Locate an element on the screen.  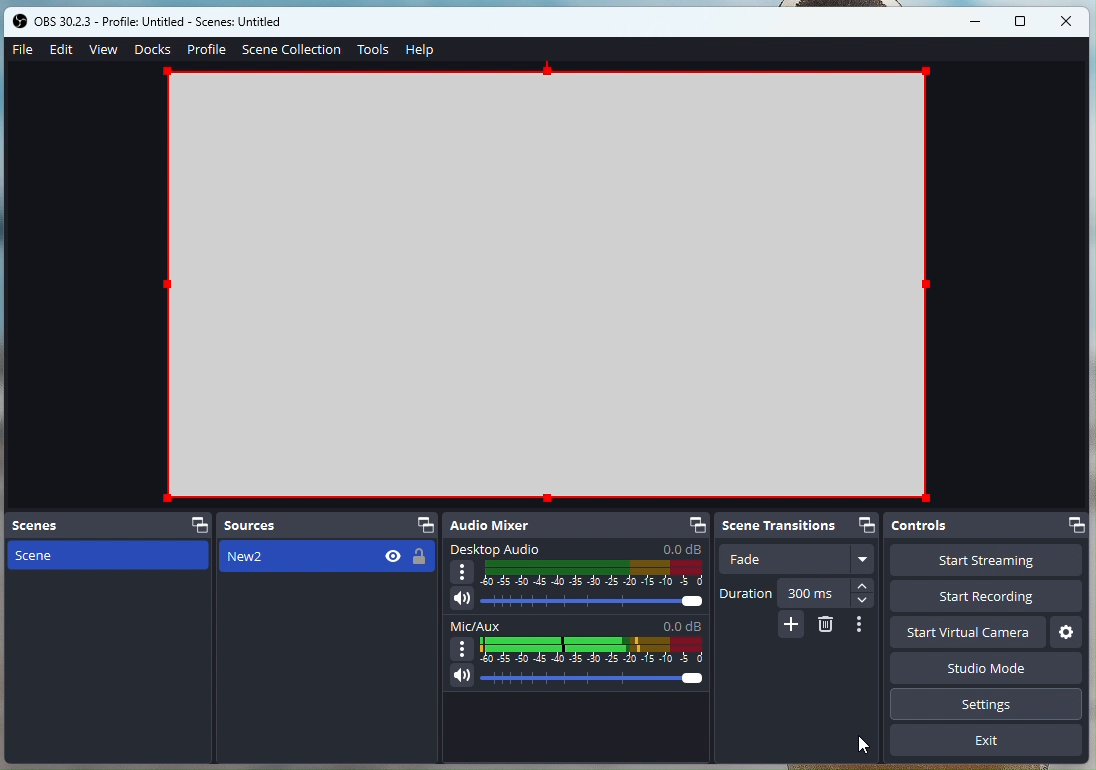
Start recording is located at coordinates (984, 597).